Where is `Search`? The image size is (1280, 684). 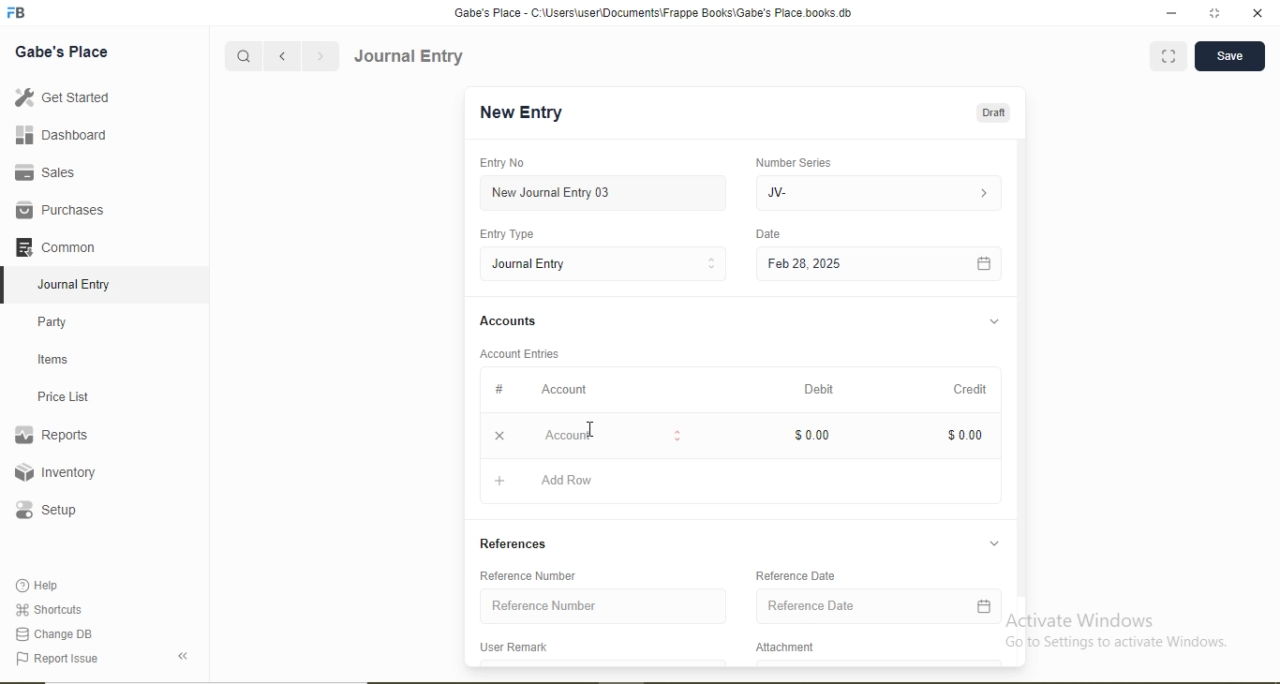
Search is located at coordinates (242, 57).